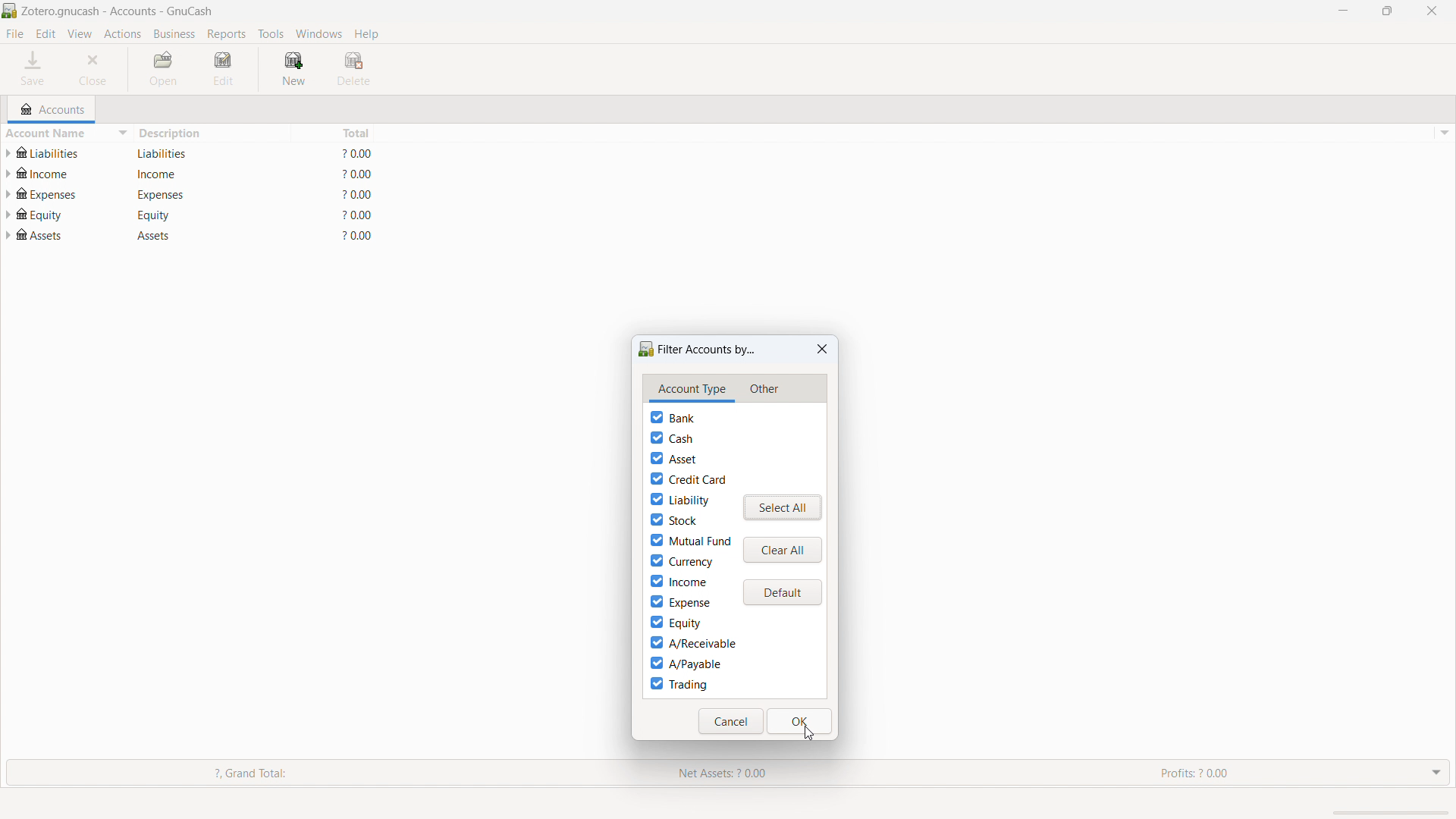  I want to click on maximize, so click(1387, 11).